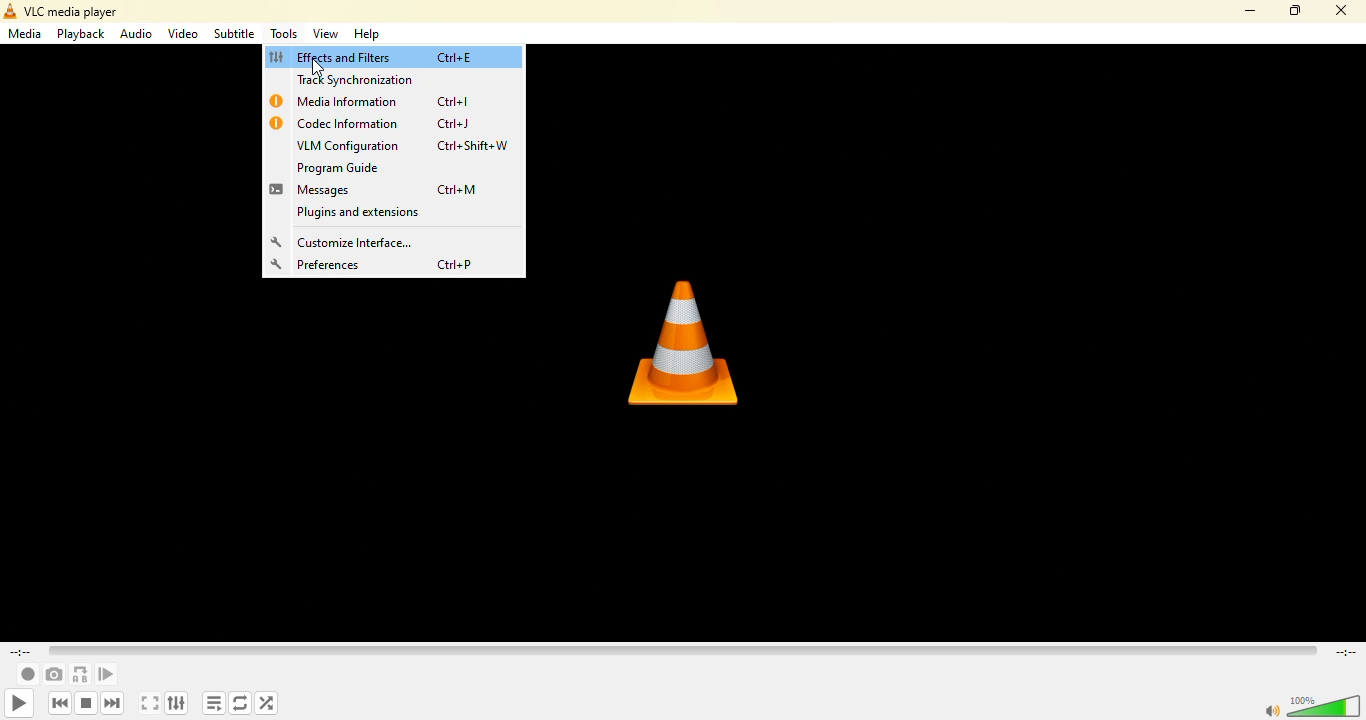 The width and height of the screenshot is (1366, 720). Describe the element at coordinates (26, 33) in the screenshot. I see `media` at that location.